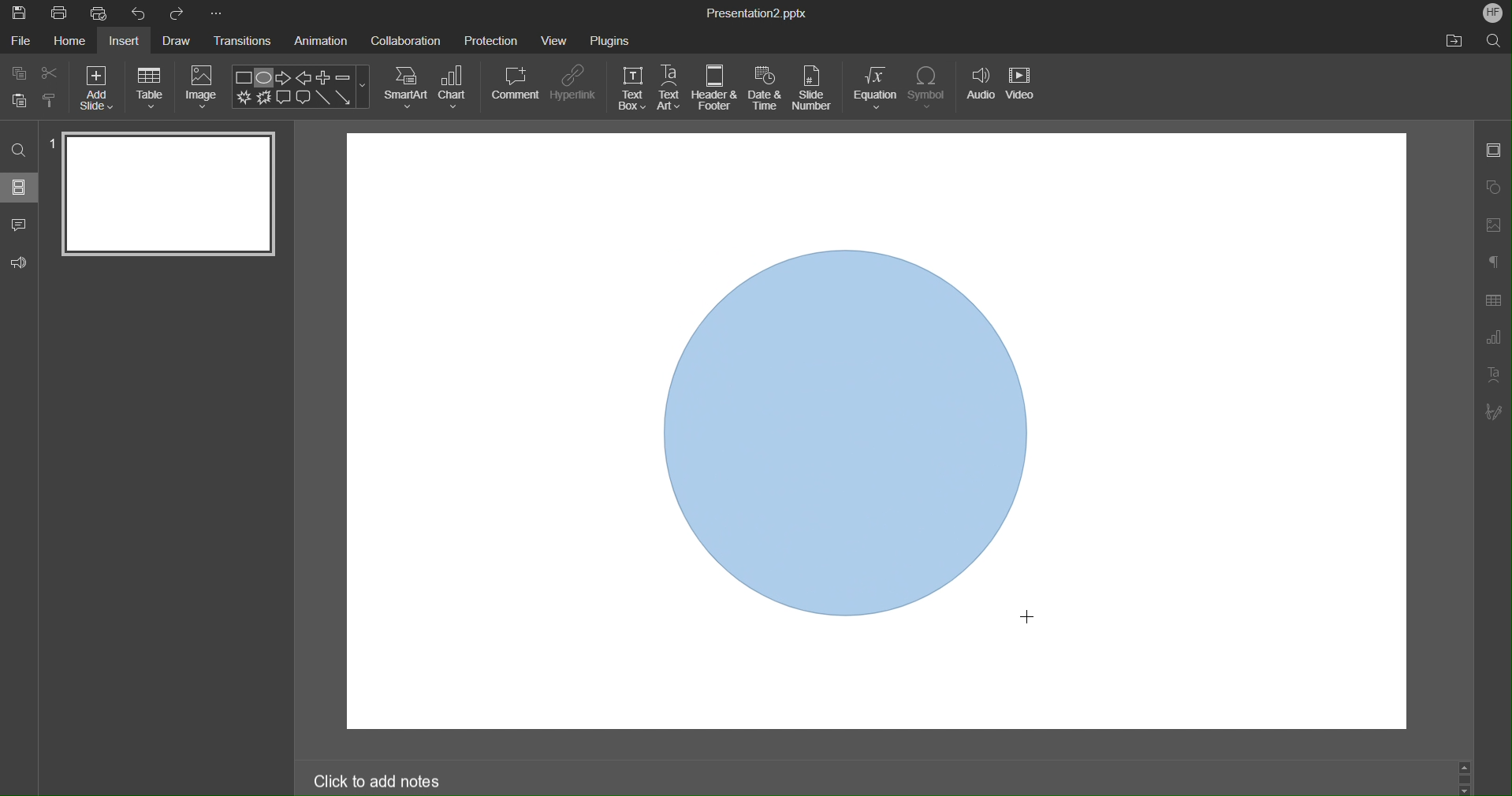 This screenshot has width=1512, height=796. Describe the element at coordinates (1023, 90) in the screenshot. I see `Video` at that location.